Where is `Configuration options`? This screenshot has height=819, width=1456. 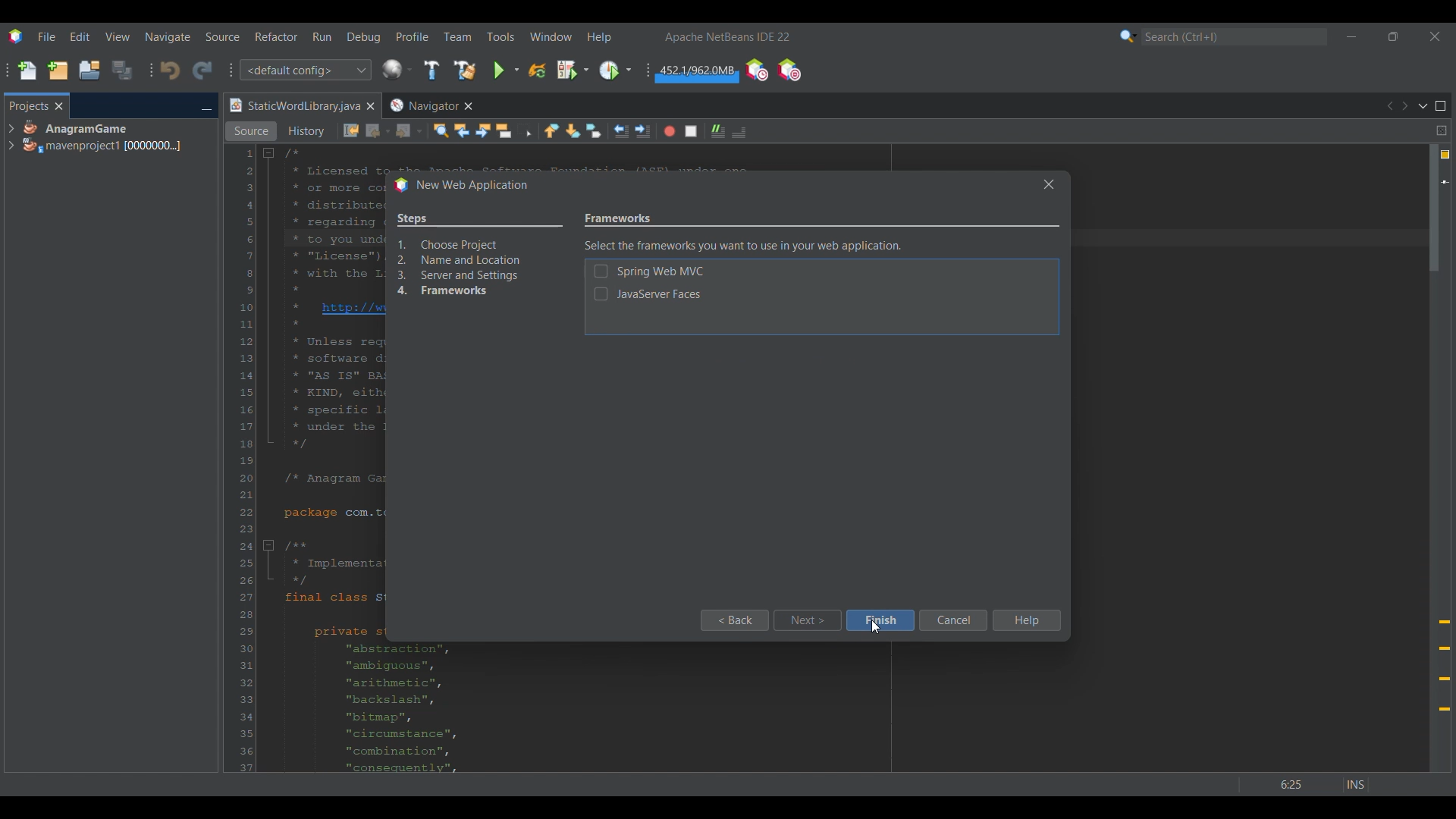 Configuration options is located at coordinates (305, 70).